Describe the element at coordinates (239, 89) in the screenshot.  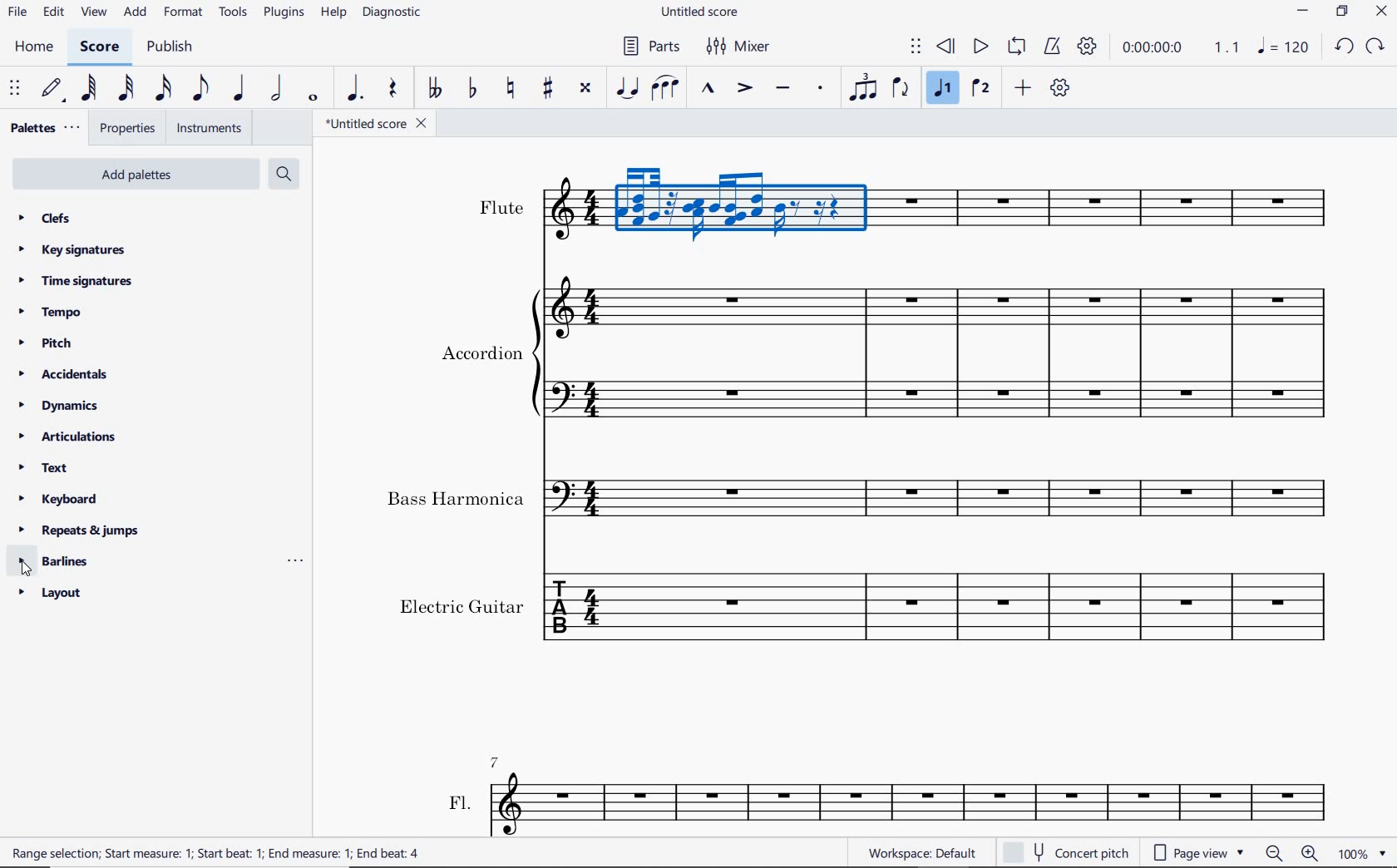
I see `quarter note` at that location.